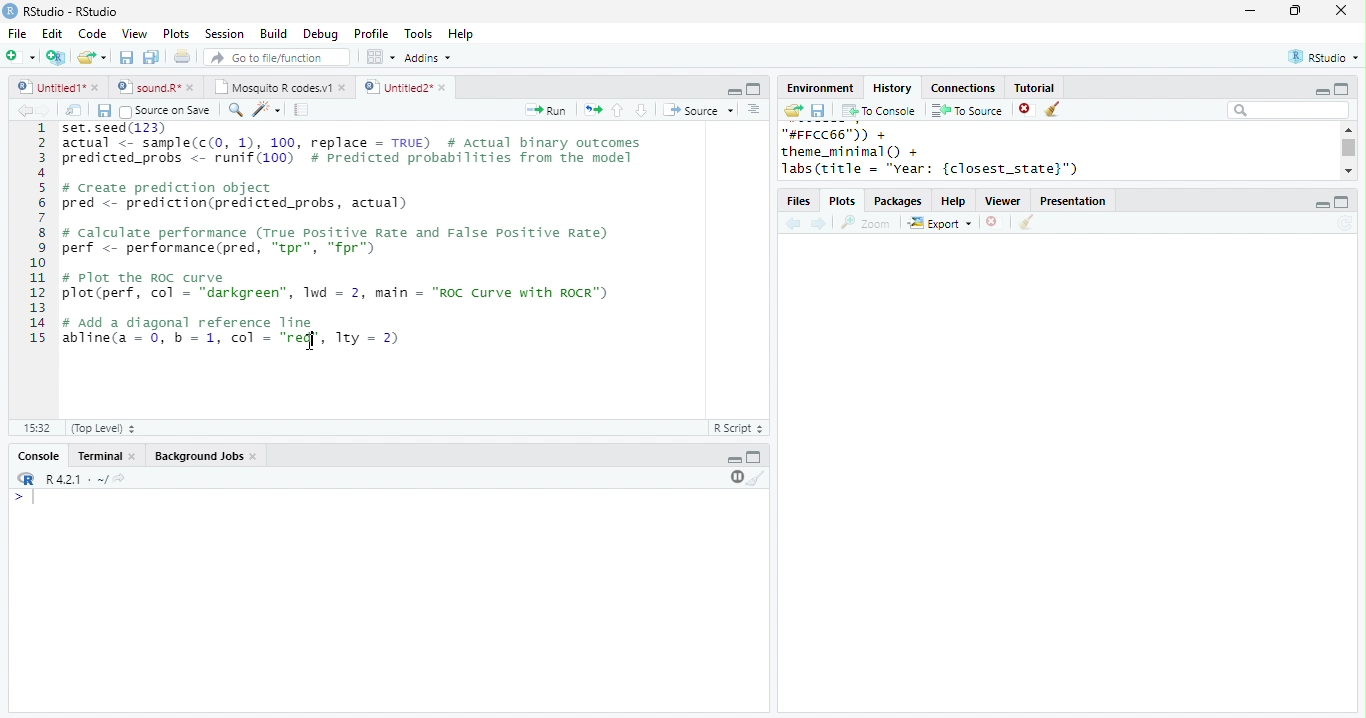  What do you see at coordinates (734, 90) in the screenshot?
I see `minimize` at bounding box center [734, 90].